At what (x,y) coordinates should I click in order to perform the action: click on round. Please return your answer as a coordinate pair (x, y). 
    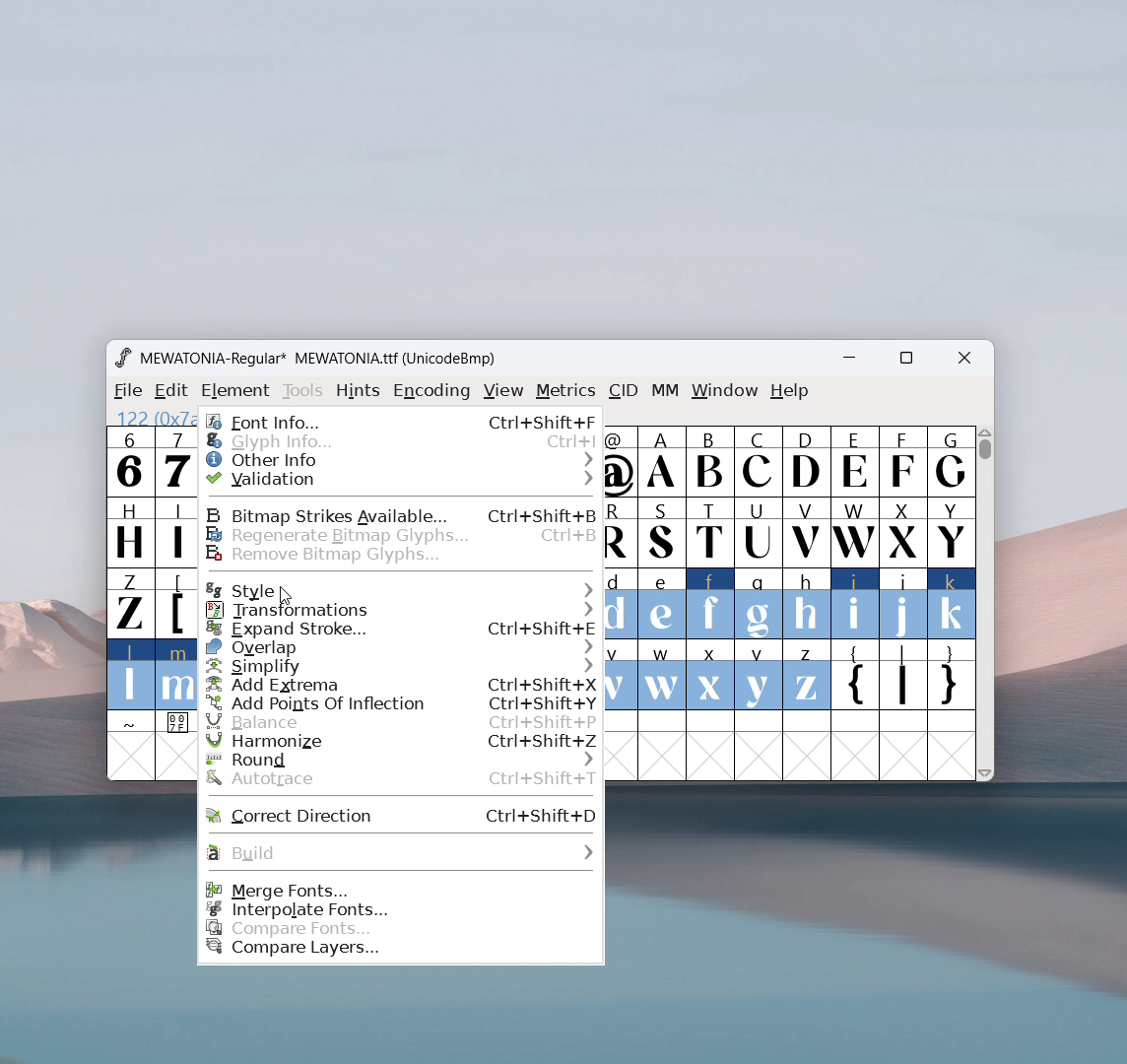
    Looking at the image, I should click on (402, 761).